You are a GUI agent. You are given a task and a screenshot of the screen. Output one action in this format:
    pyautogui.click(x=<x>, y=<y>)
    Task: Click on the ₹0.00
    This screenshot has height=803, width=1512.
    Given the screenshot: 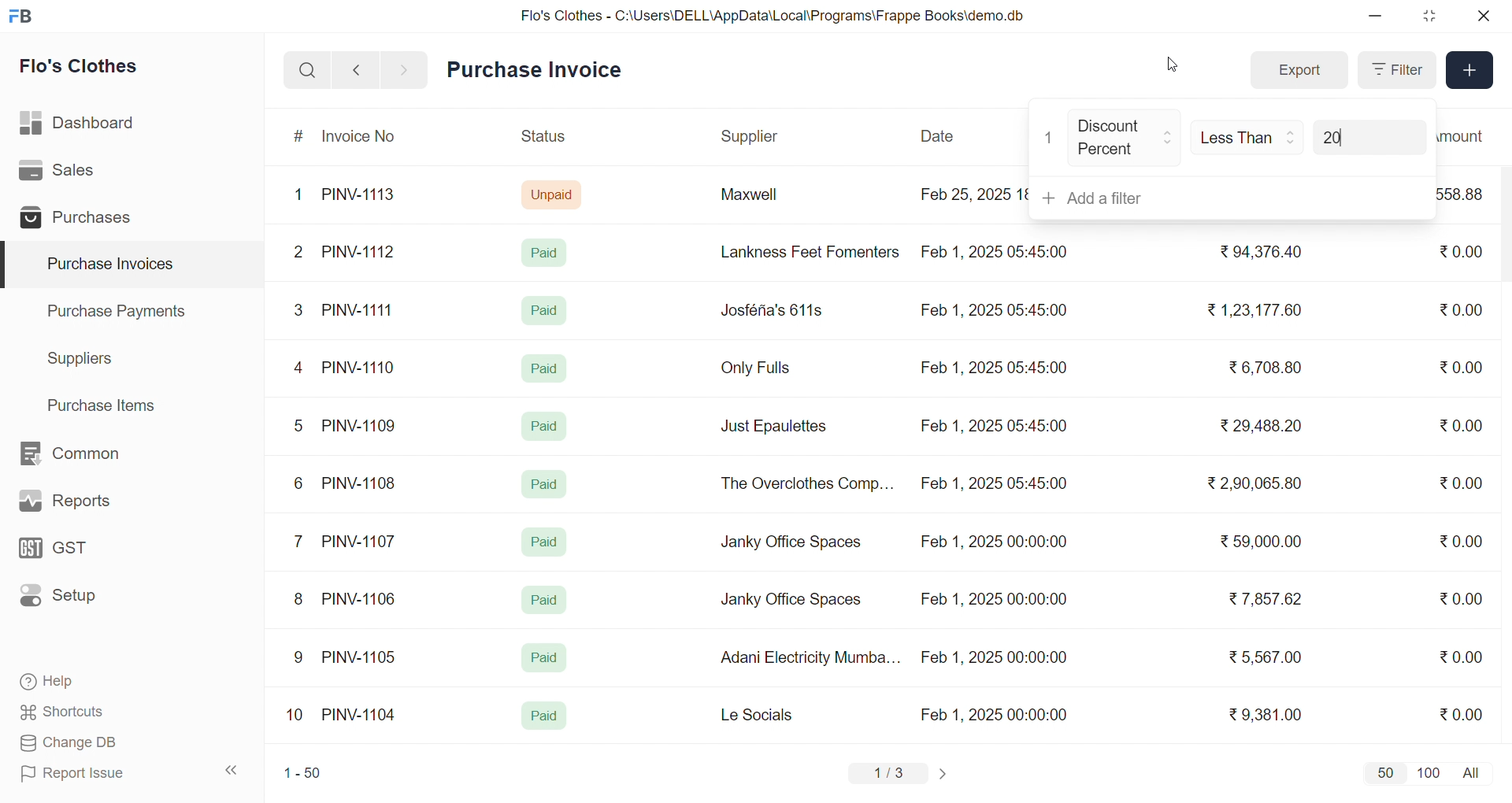 What is the action you would take?
    pyautogui.click(x=1463, y=309)
    